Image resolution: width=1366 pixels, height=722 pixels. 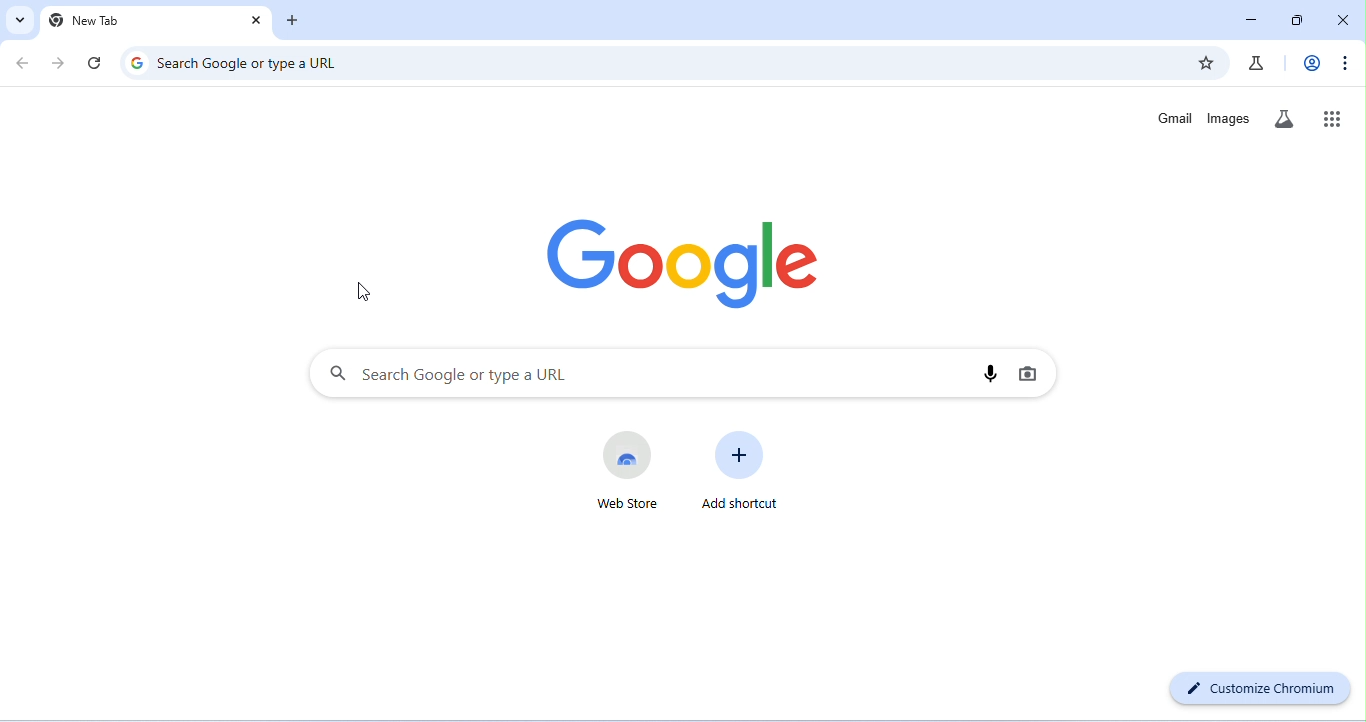 What do you see at coordinates (1255, 63) in the screenshot?
I see `chrome labs` at bounding box center [1255, 63].